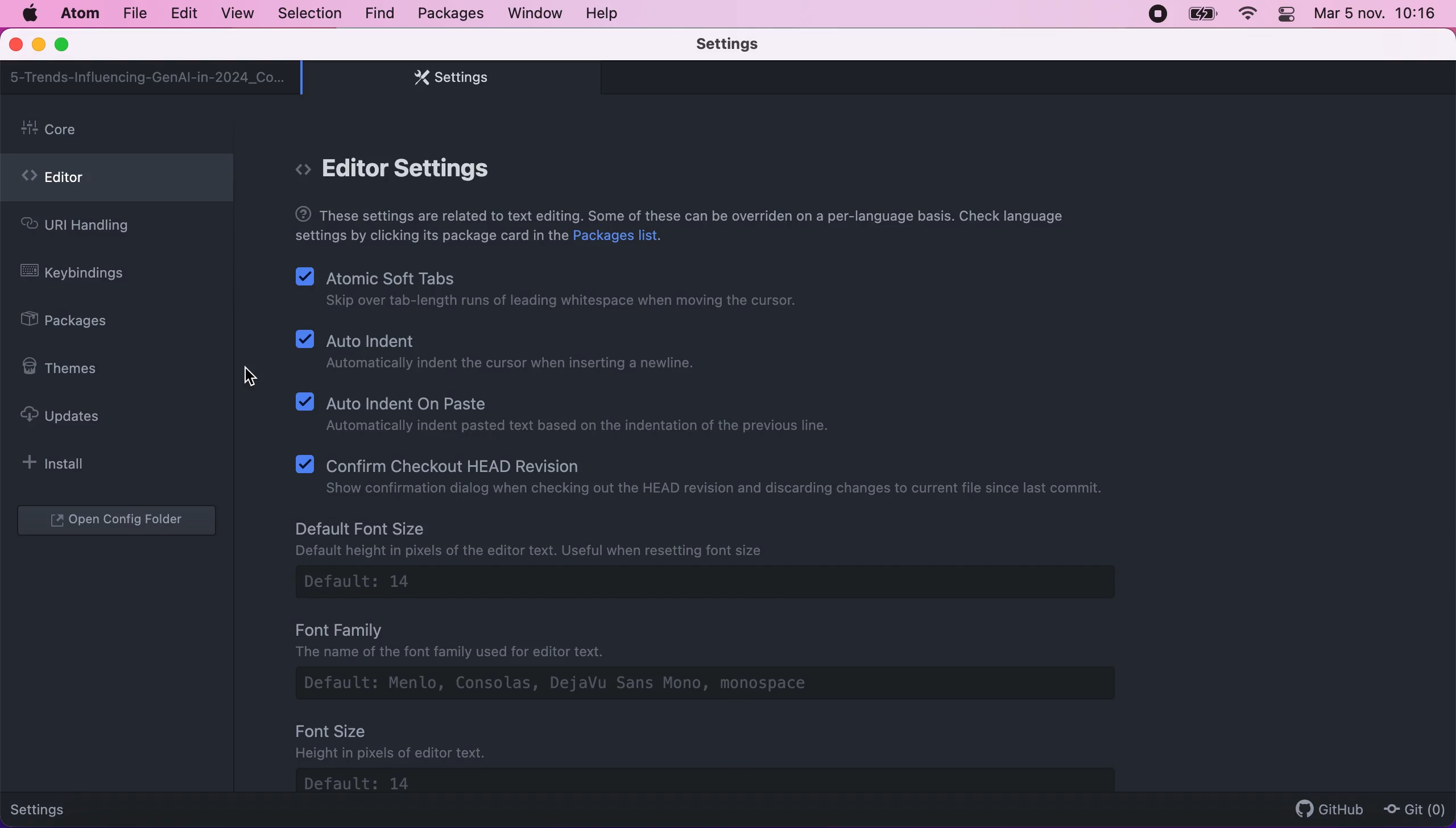 This screenshot has height=828, width=1456. I want to click on auto indent on paste, so click(569, 413).